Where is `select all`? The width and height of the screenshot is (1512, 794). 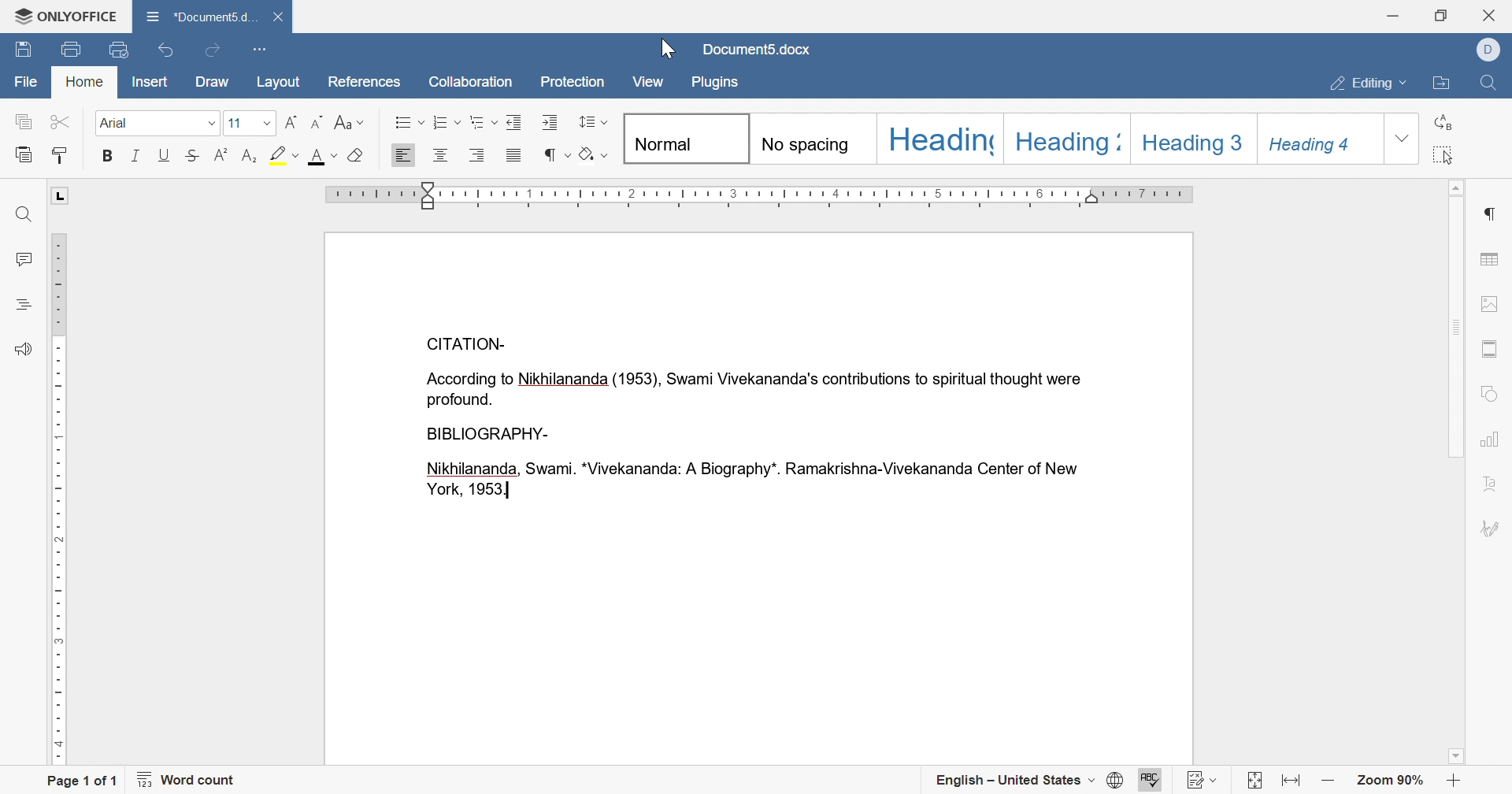
select all is located at coordinates (1448, 154).